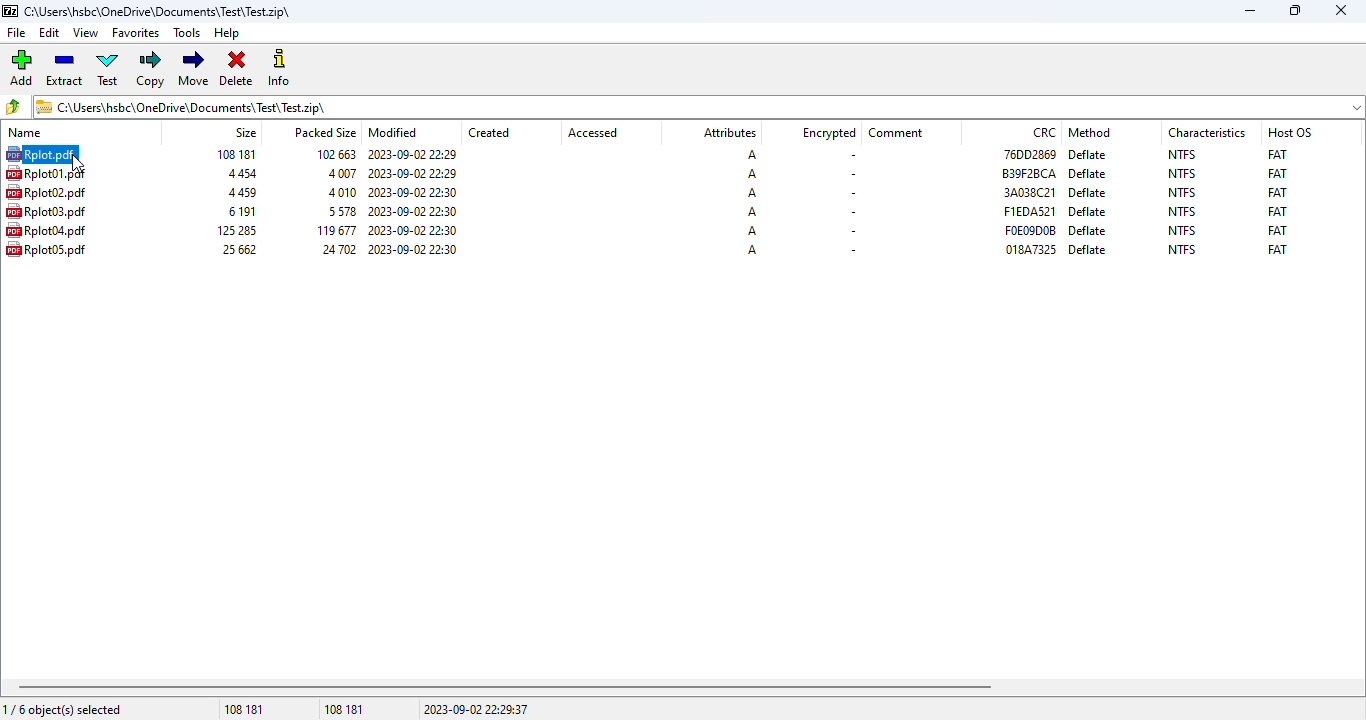 The height and width of the screenshot is (720, 1366). Describe the element at coordinates (728, 133) in the screenshot. I see `attributes` at that location.